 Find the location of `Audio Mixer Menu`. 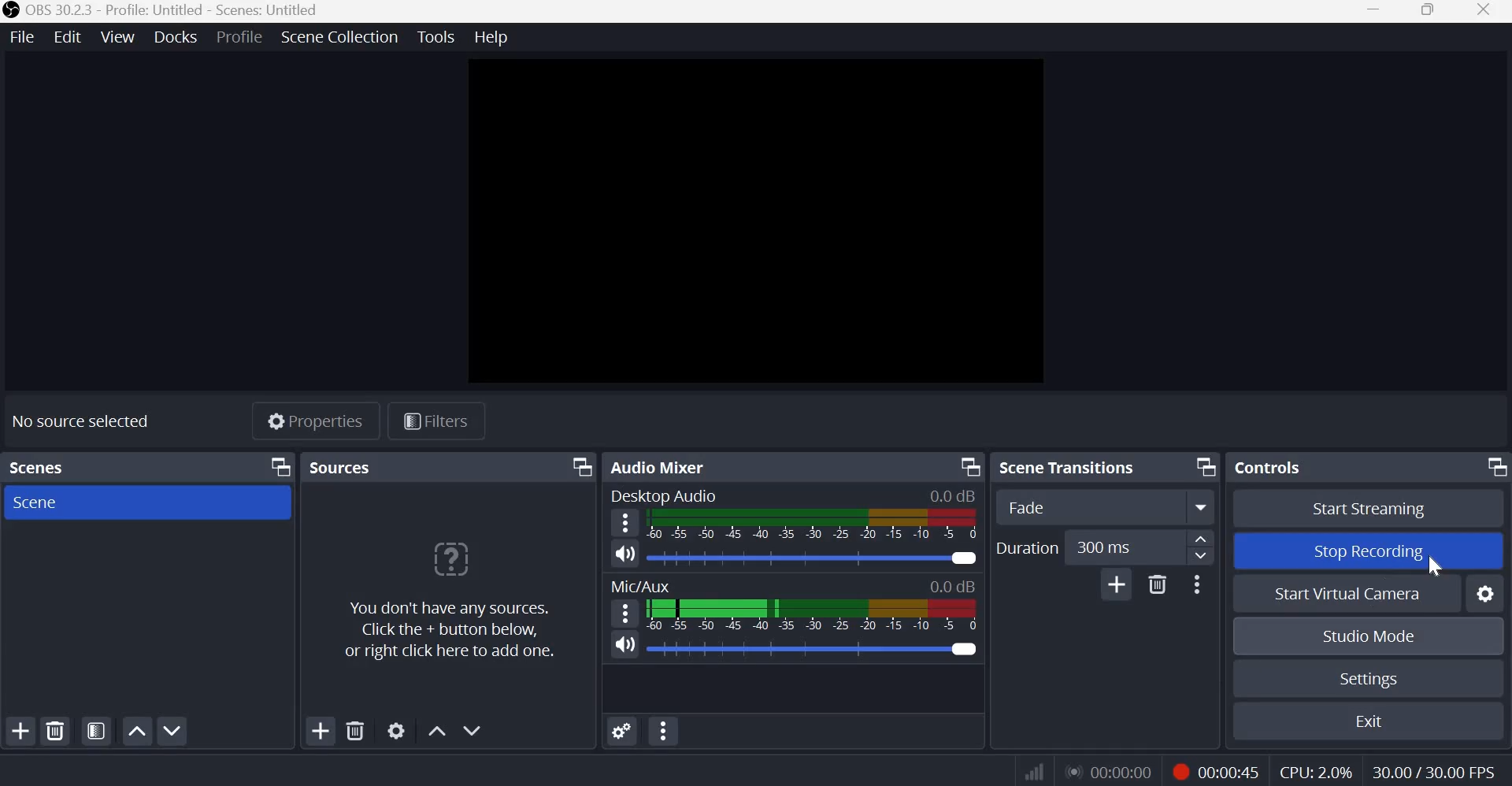

Audio Mixer Menu is located at coordinates (661, 732).